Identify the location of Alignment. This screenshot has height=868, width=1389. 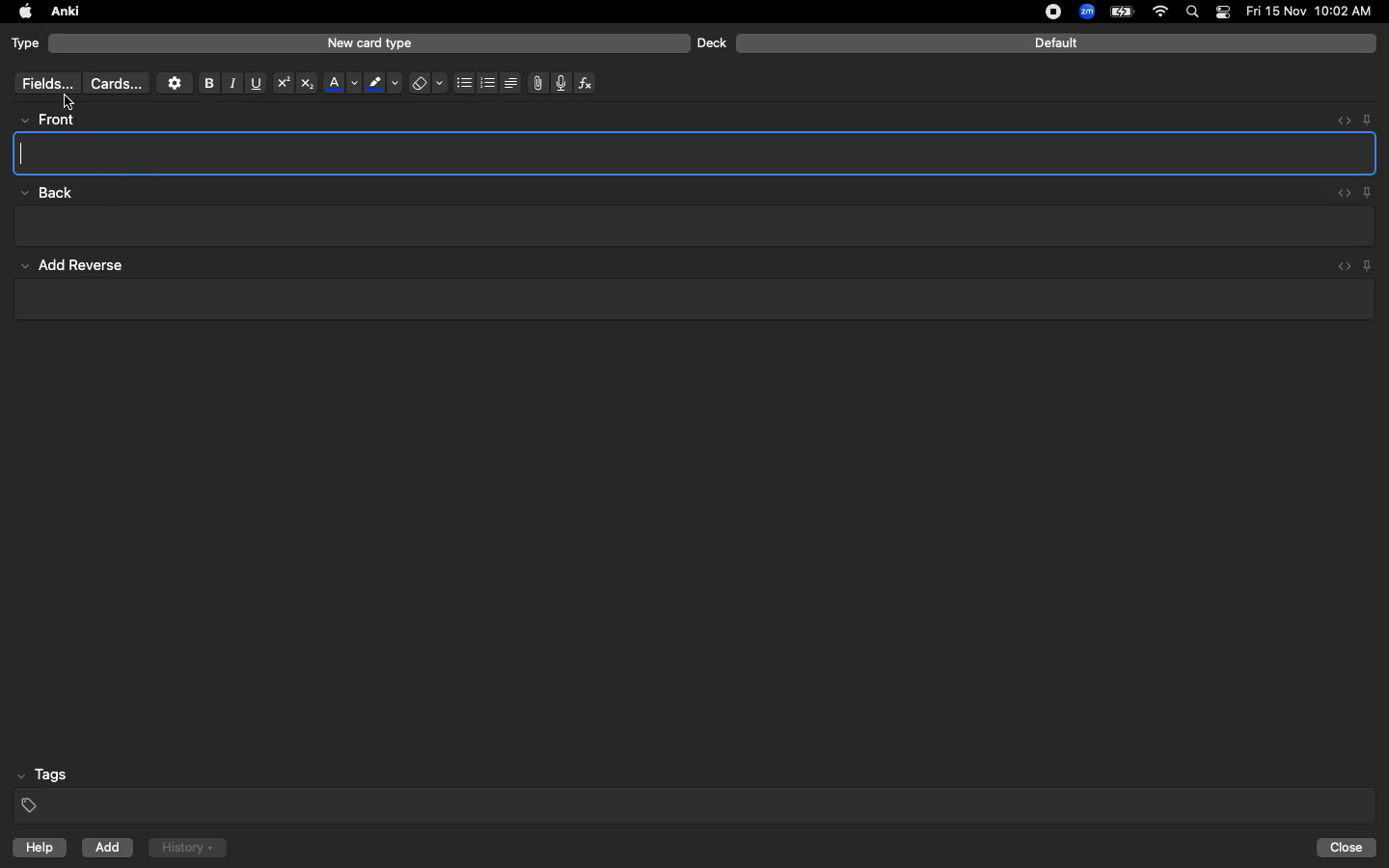
(508, 81).